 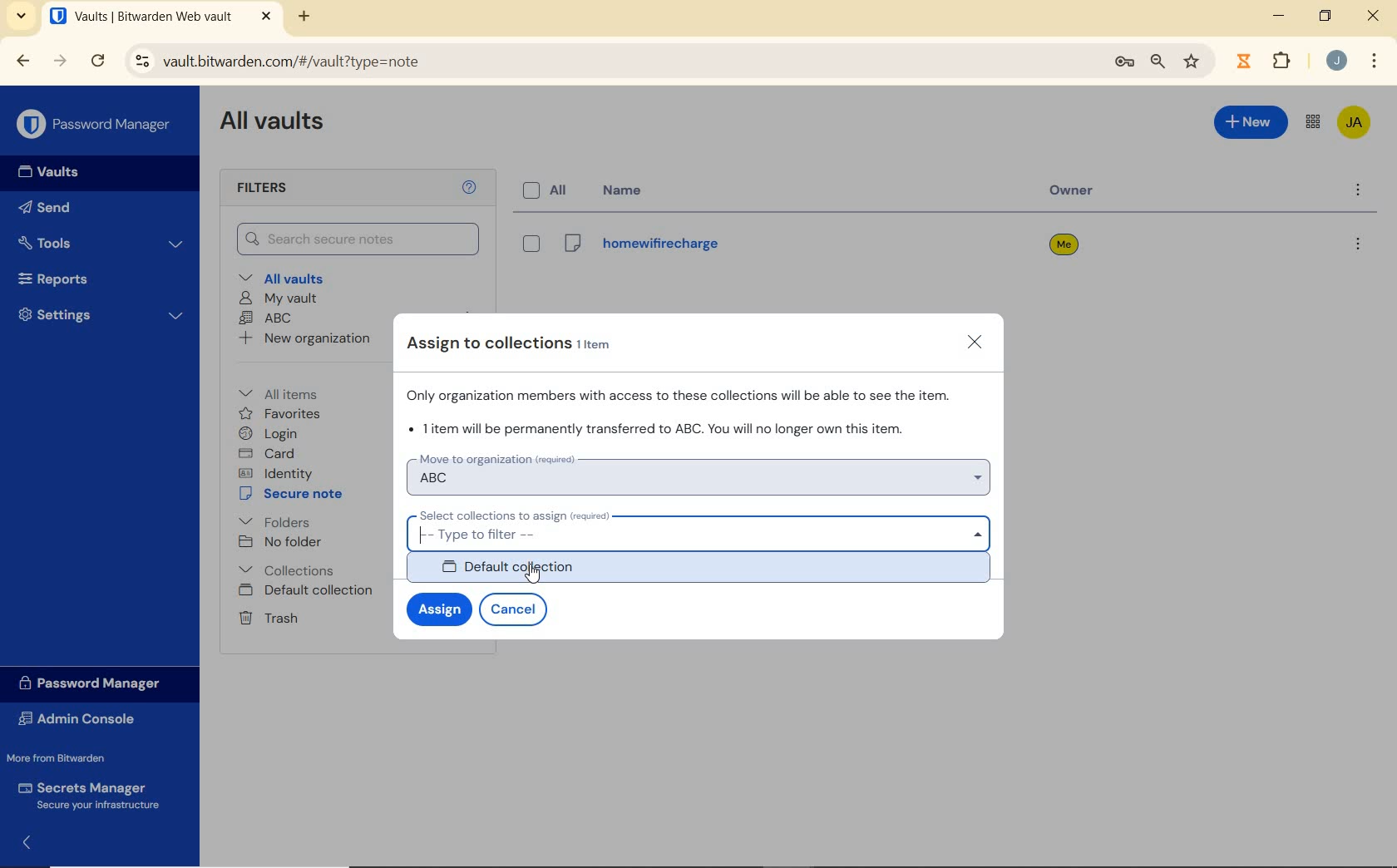 I want to click on manage passwords, so click(x=1124, y=65).